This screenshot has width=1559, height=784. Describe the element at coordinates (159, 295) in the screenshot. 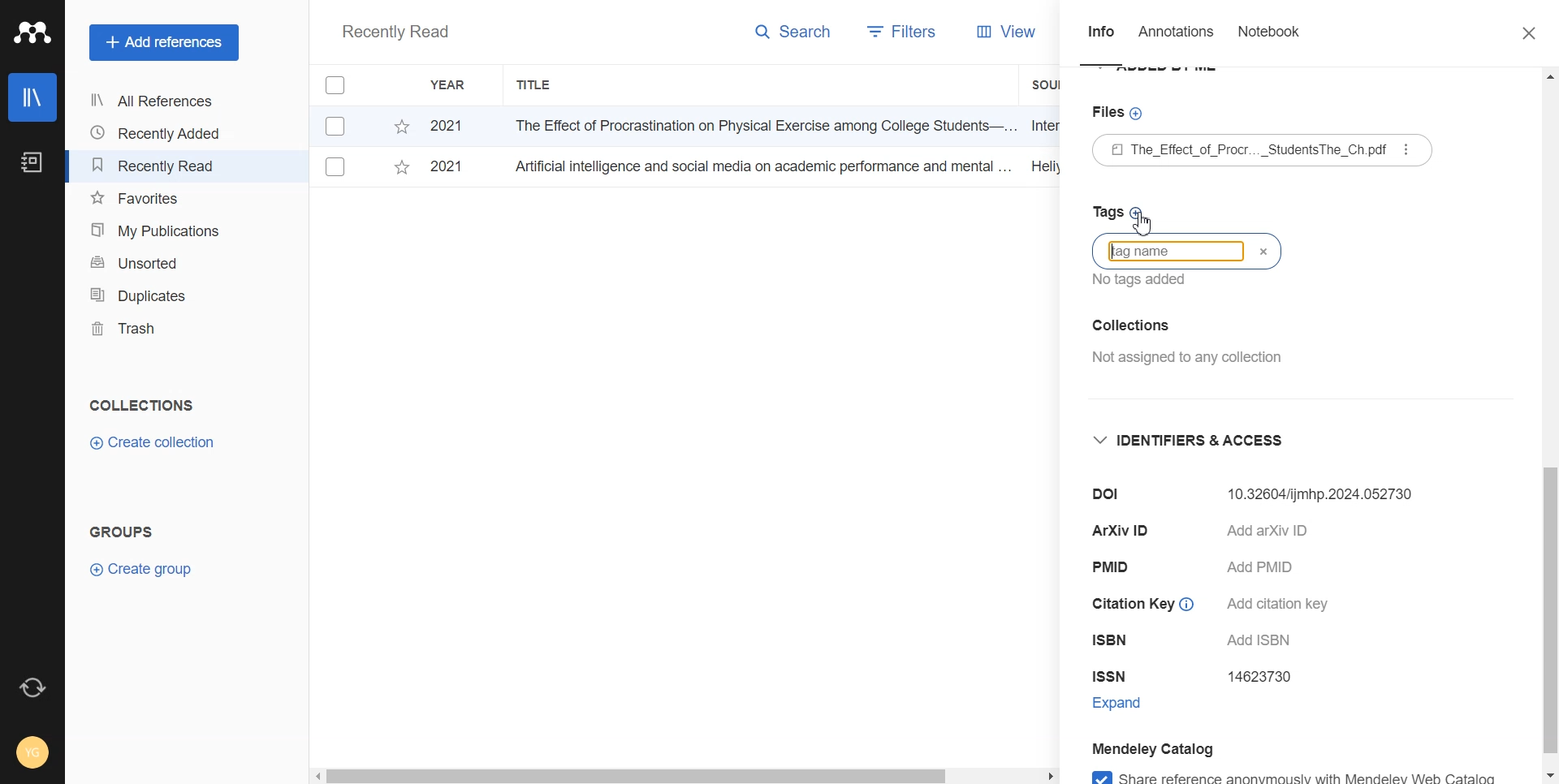

I see `Duplicates` at that location.